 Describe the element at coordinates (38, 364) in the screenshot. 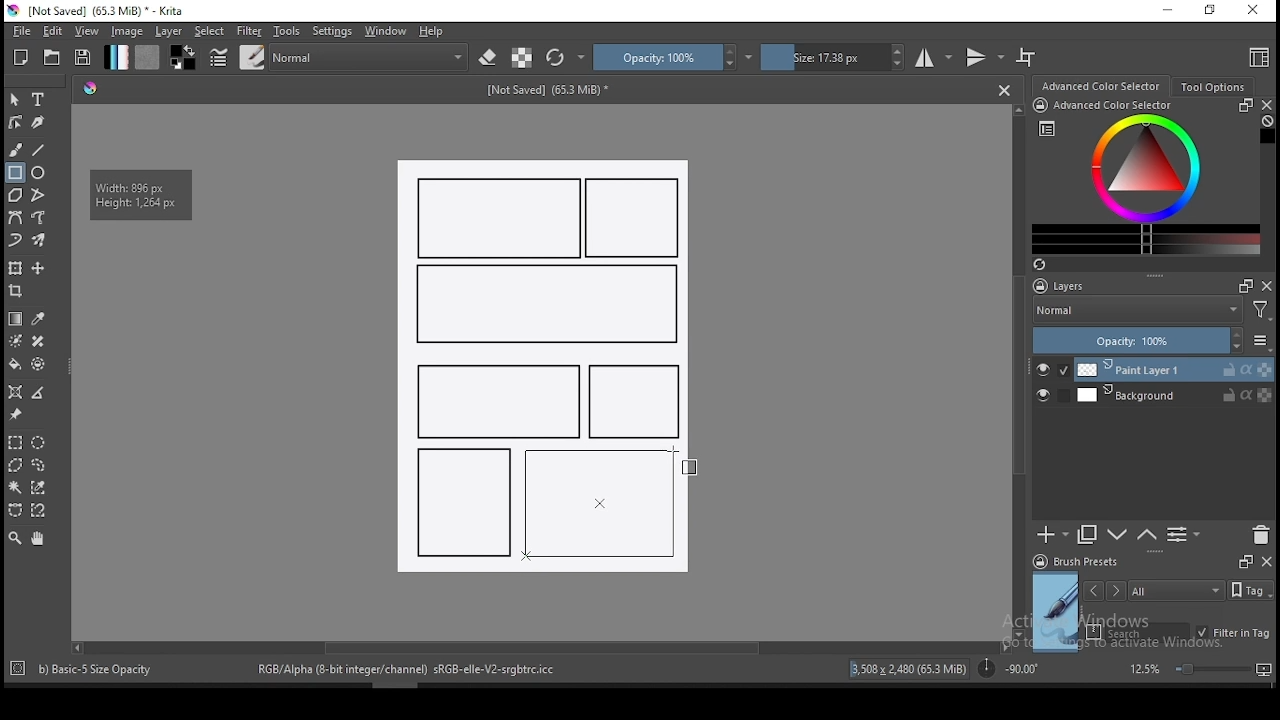

I see `enclose and fill tool` at that location.